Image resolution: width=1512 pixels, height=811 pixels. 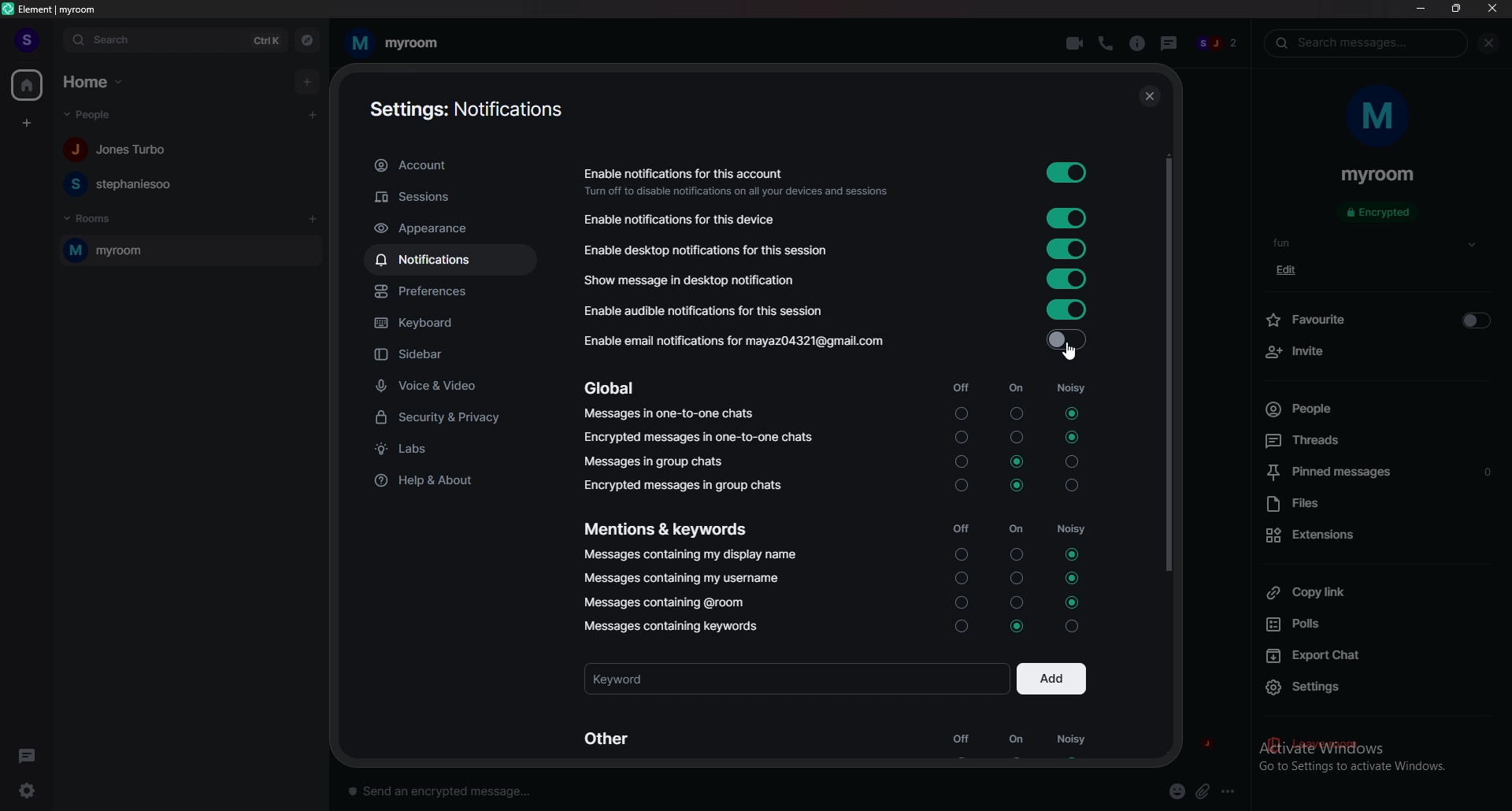 What do you see at coordinates (1381, 213) in the screenshot?
I see `encrypted` at bounding box center [1381, 213].